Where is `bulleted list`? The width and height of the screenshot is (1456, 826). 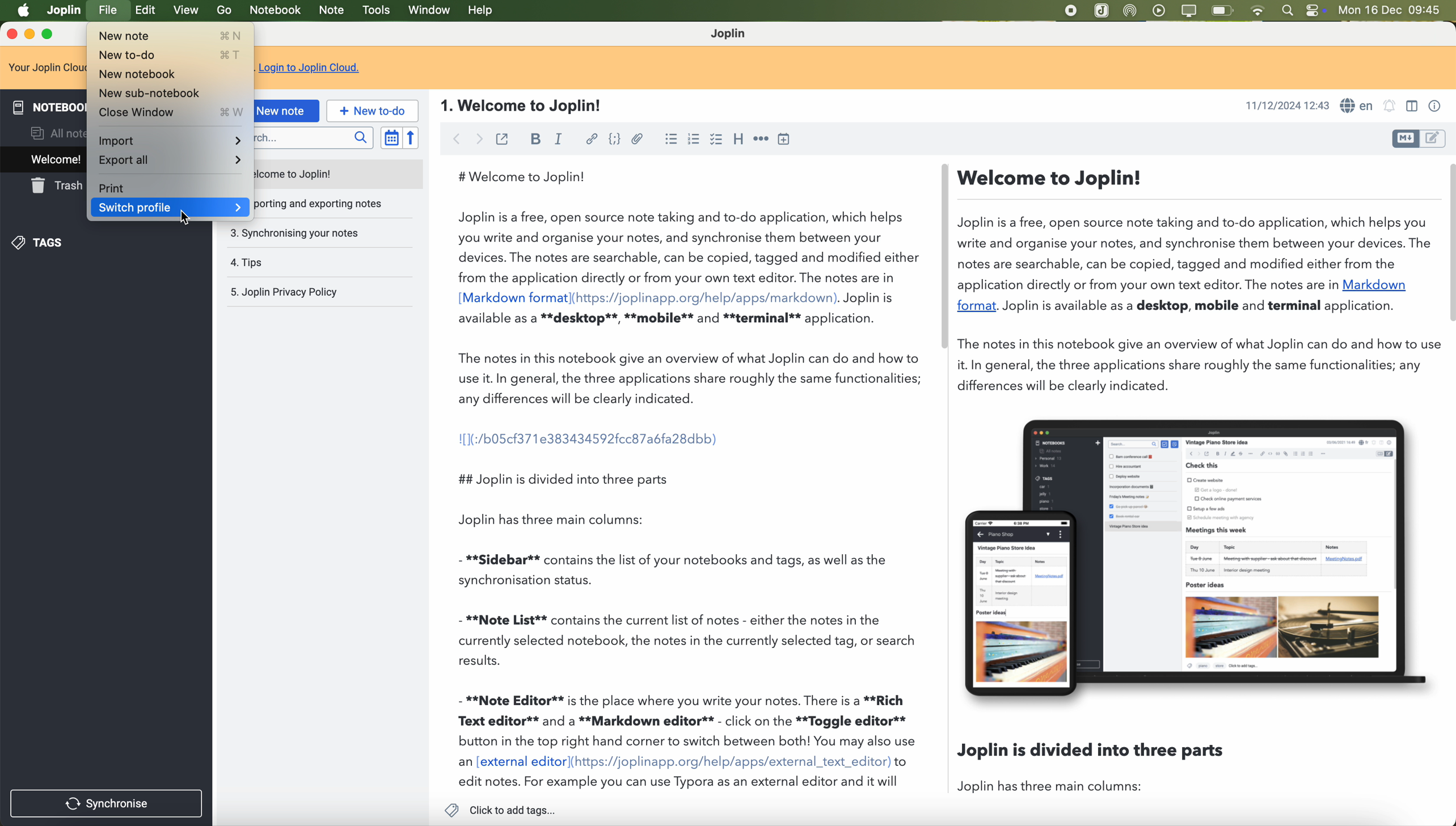 bulleted list is located at coordinates (670, 139).